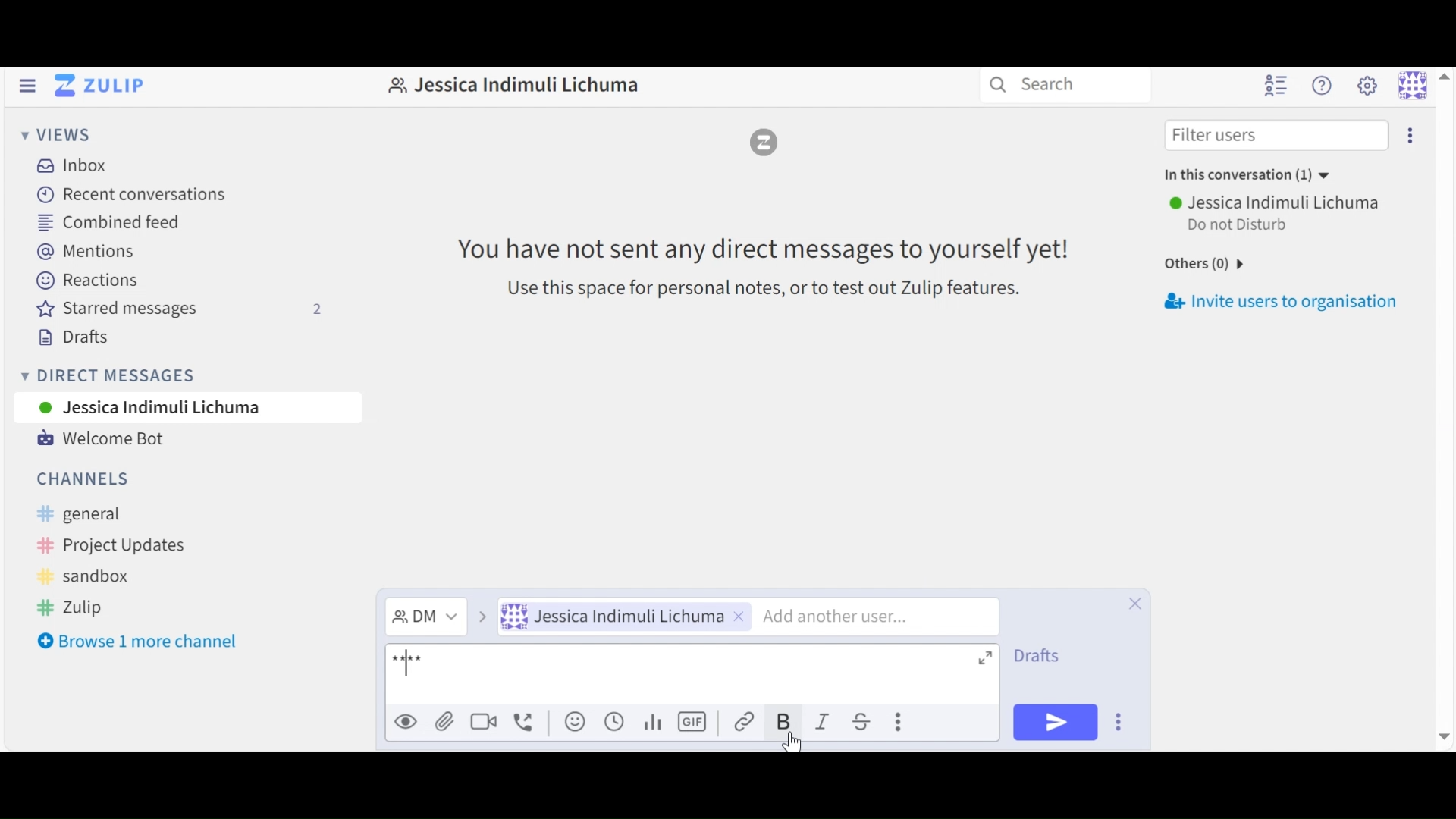 The height and width of the screenshot is (819, 1456). Describe the element at coordinates (1121, 721) in the screenshot. I see `Send Options` at that location.